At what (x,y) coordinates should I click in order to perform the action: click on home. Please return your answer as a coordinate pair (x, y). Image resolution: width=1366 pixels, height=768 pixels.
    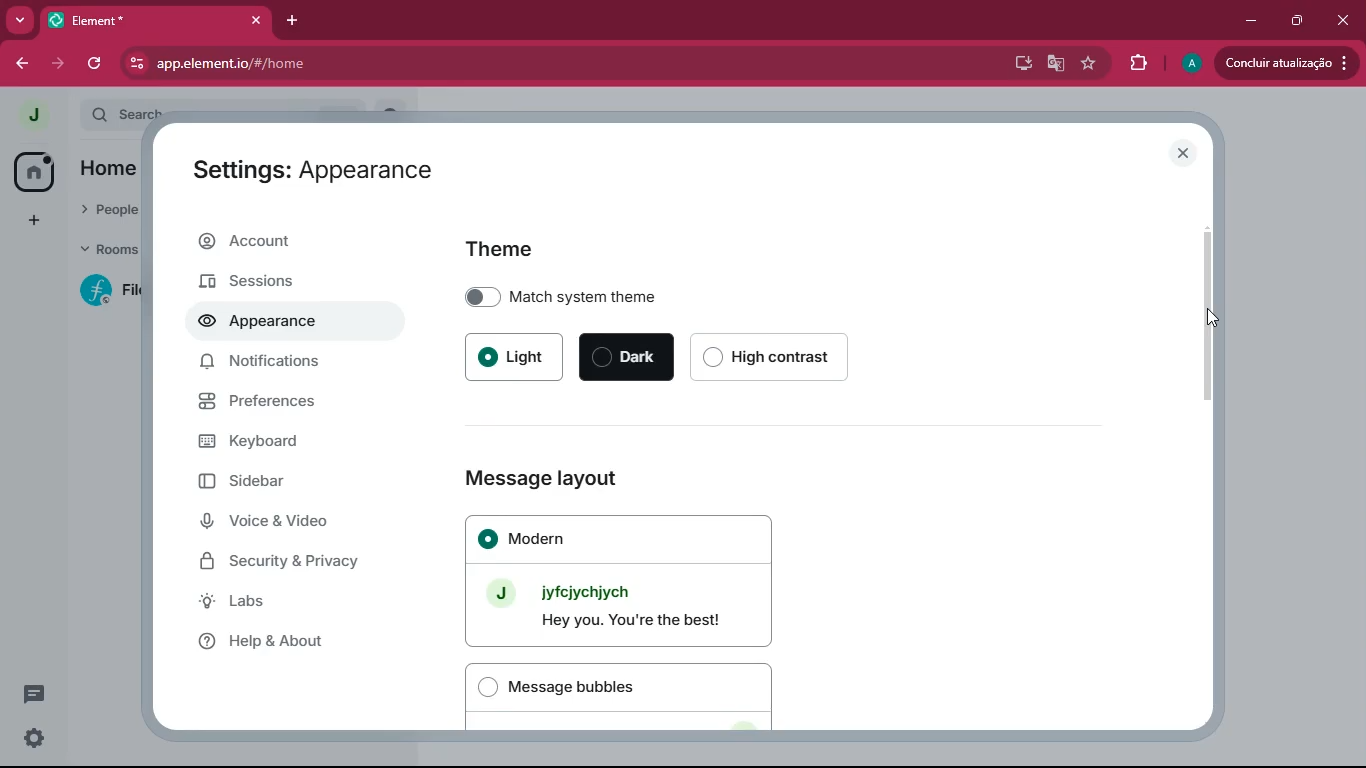
    Looking at the image, I should click on (33, 171).